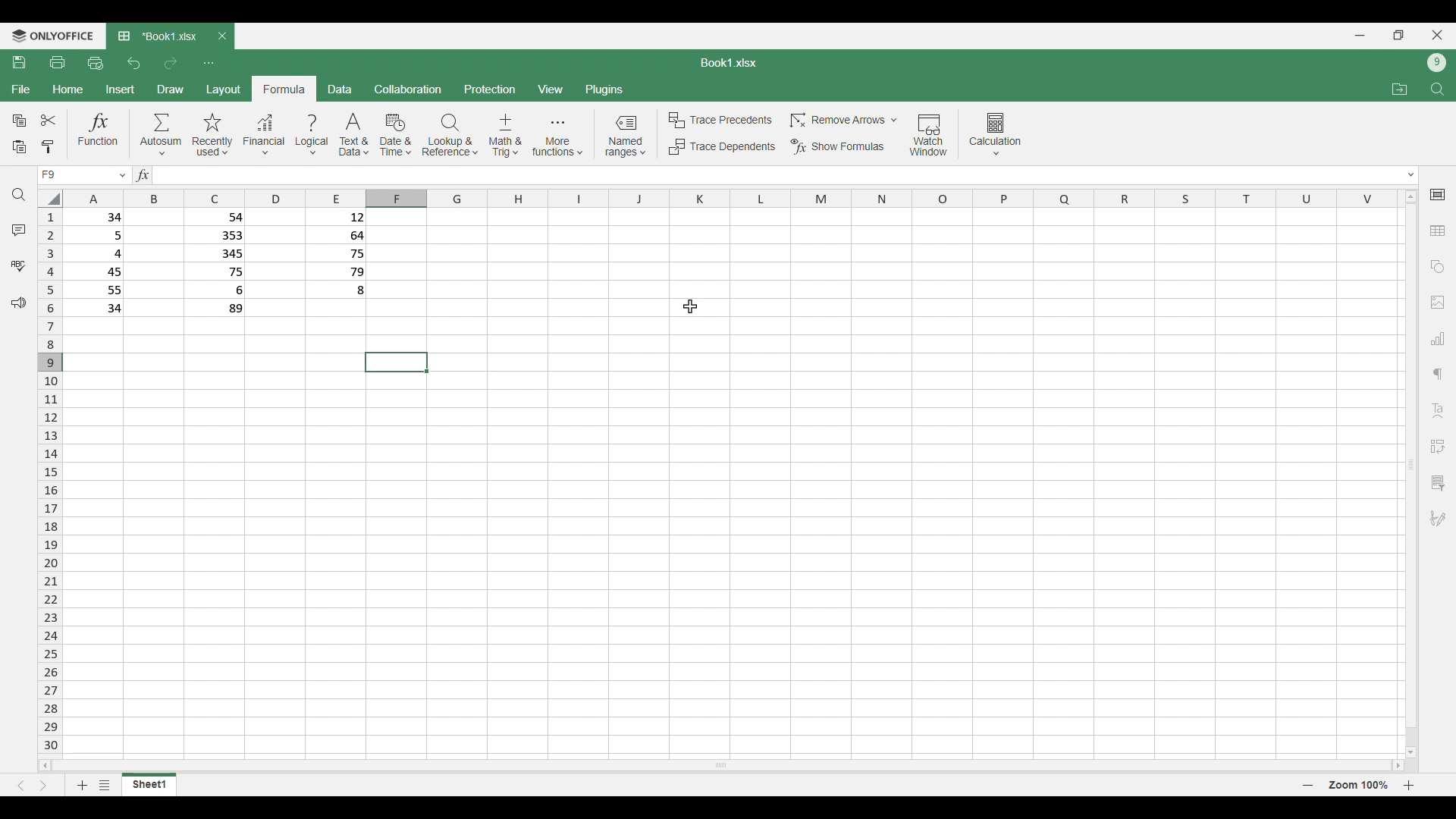 The height and width of the screenshot is (819, 1456). What do you see at coordinates (836, 147) in the screenshot?
I see `Show formulas` at bounding box center [836, 147].